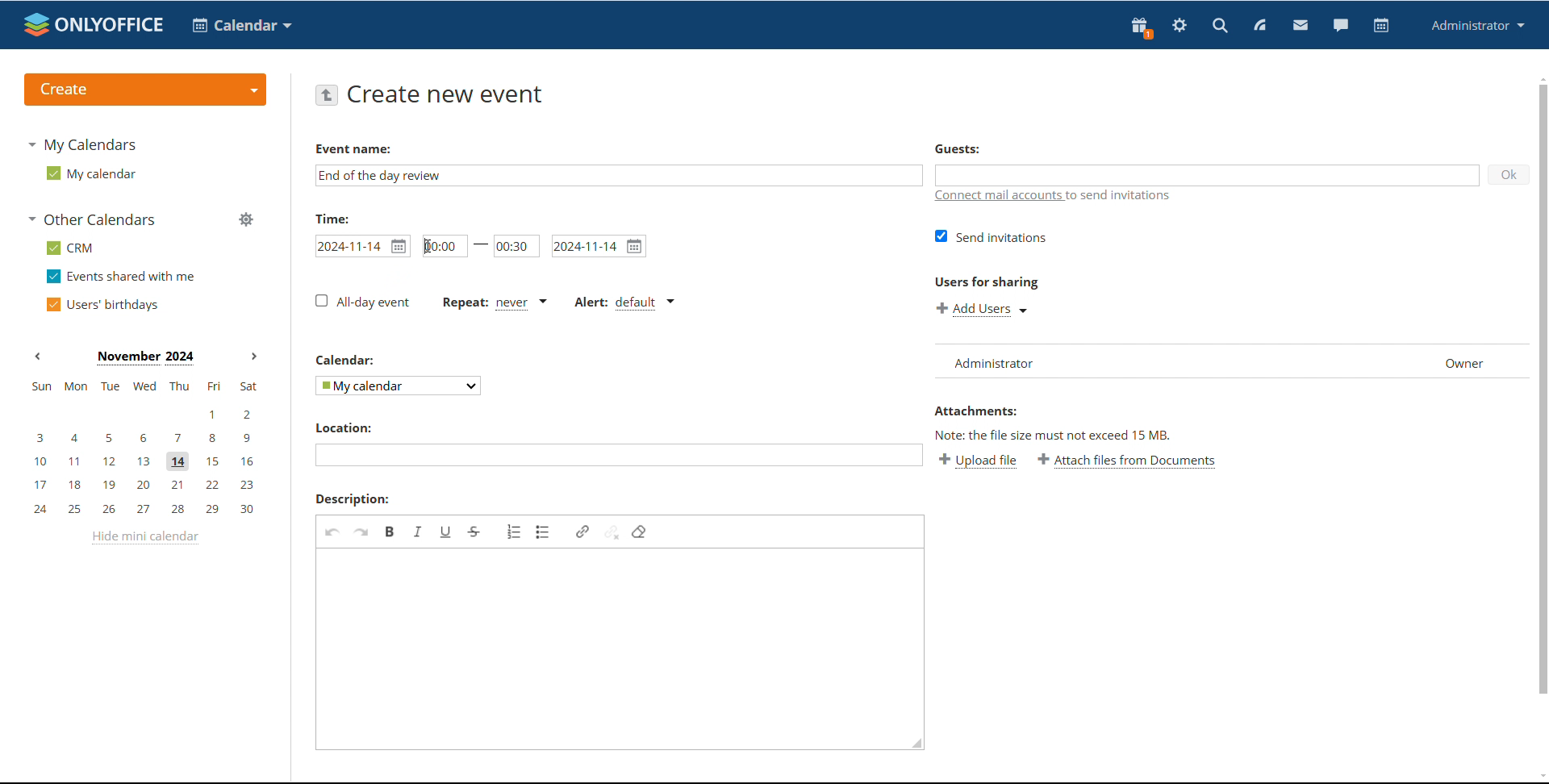 Image resolution: width=1549 pixels, height=784 pixels. What do you see at coordinates (1478, 25) in the screenshot?
I see `profile` at bounding box center [1478, 25].